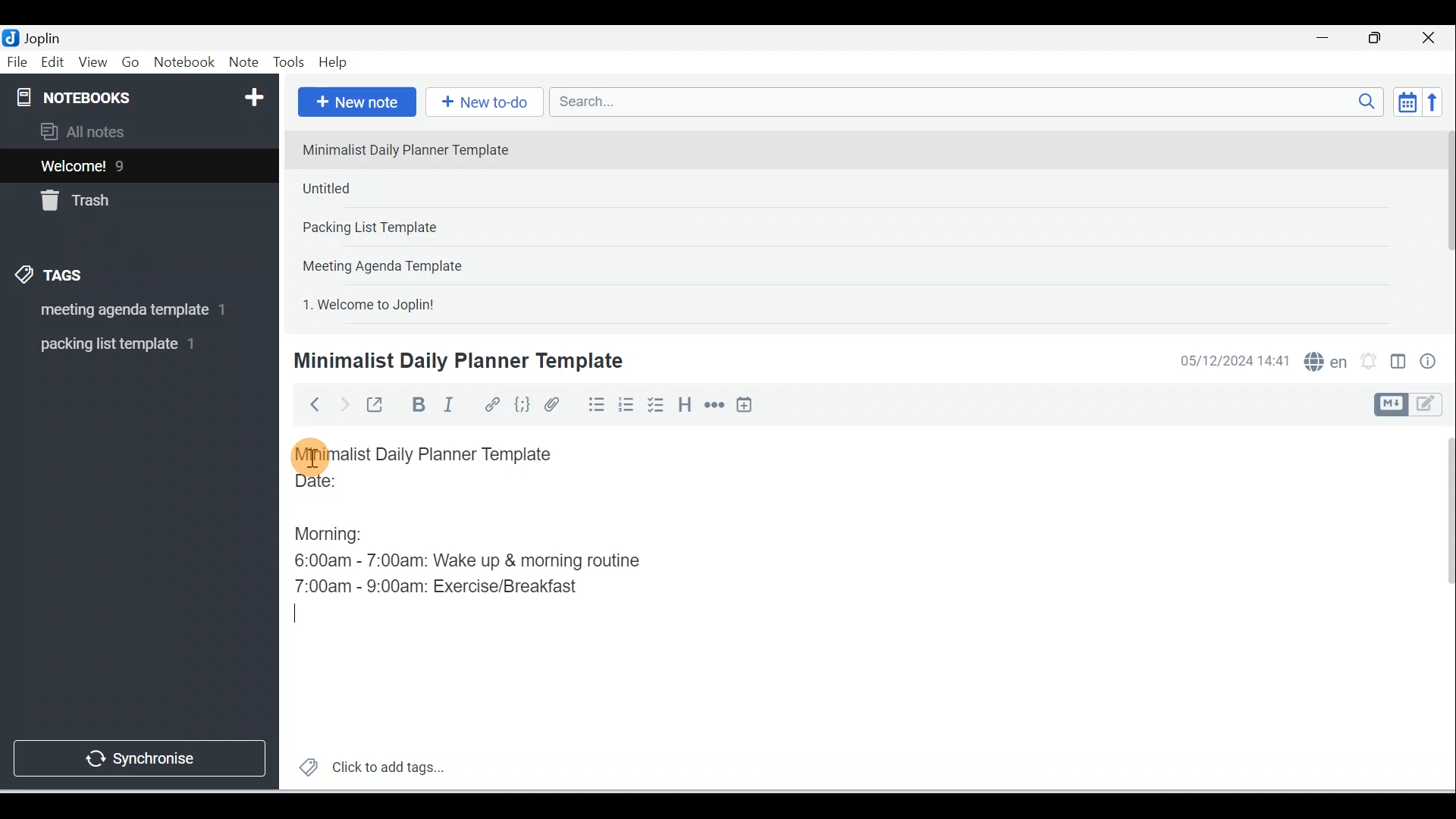 The image size is (1456, 819). Describe the element at coordinates (626, 404) in the screenshot. I see `Numbered list` at that location.